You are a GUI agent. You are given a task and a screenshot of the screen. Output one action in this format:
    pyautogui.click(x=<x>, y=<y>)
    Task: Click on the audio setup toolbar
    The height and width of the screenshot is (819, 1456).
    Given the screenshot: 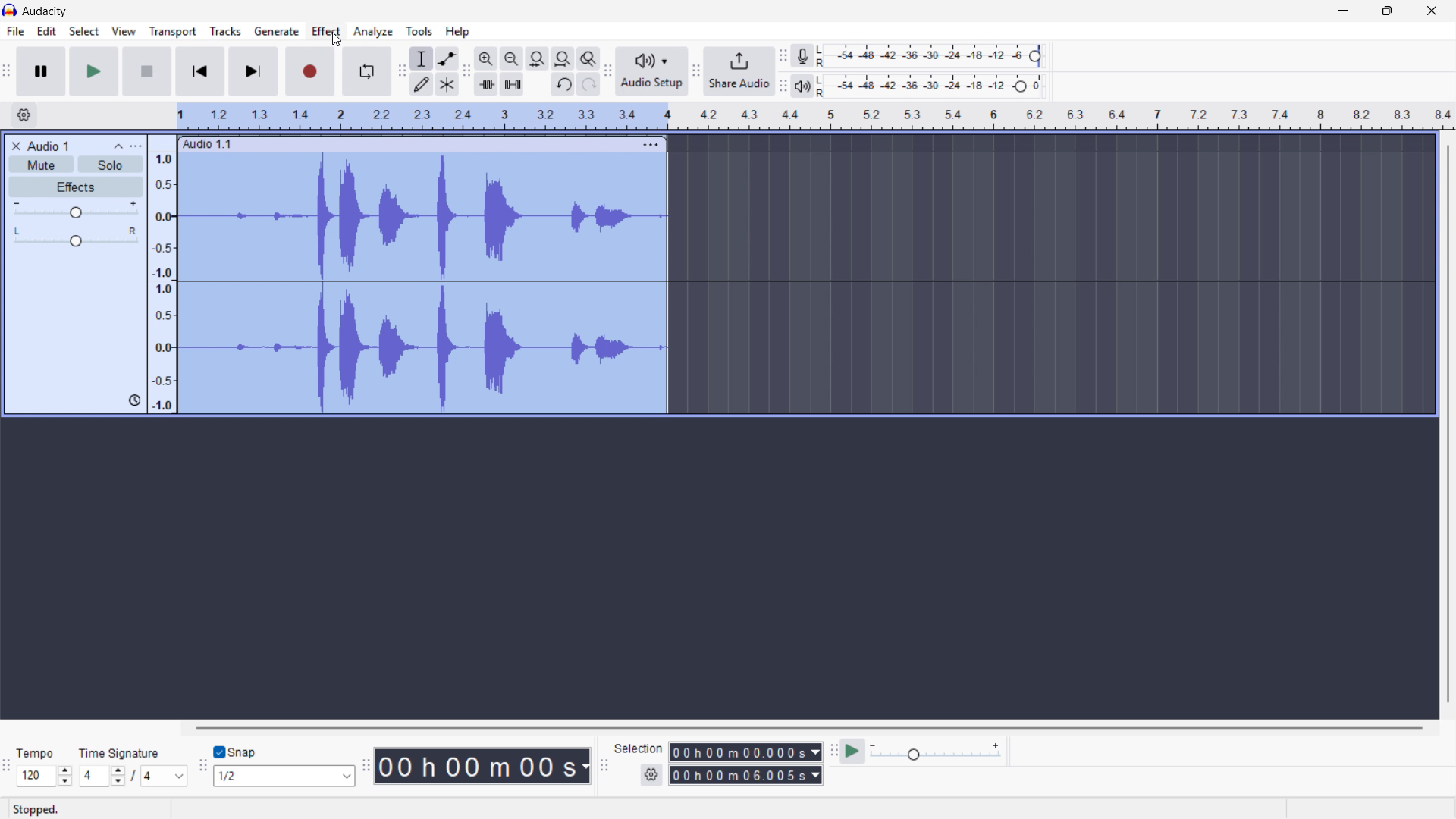 What is the action you would take?
    pyautogui.click(x=607, y=73)
    